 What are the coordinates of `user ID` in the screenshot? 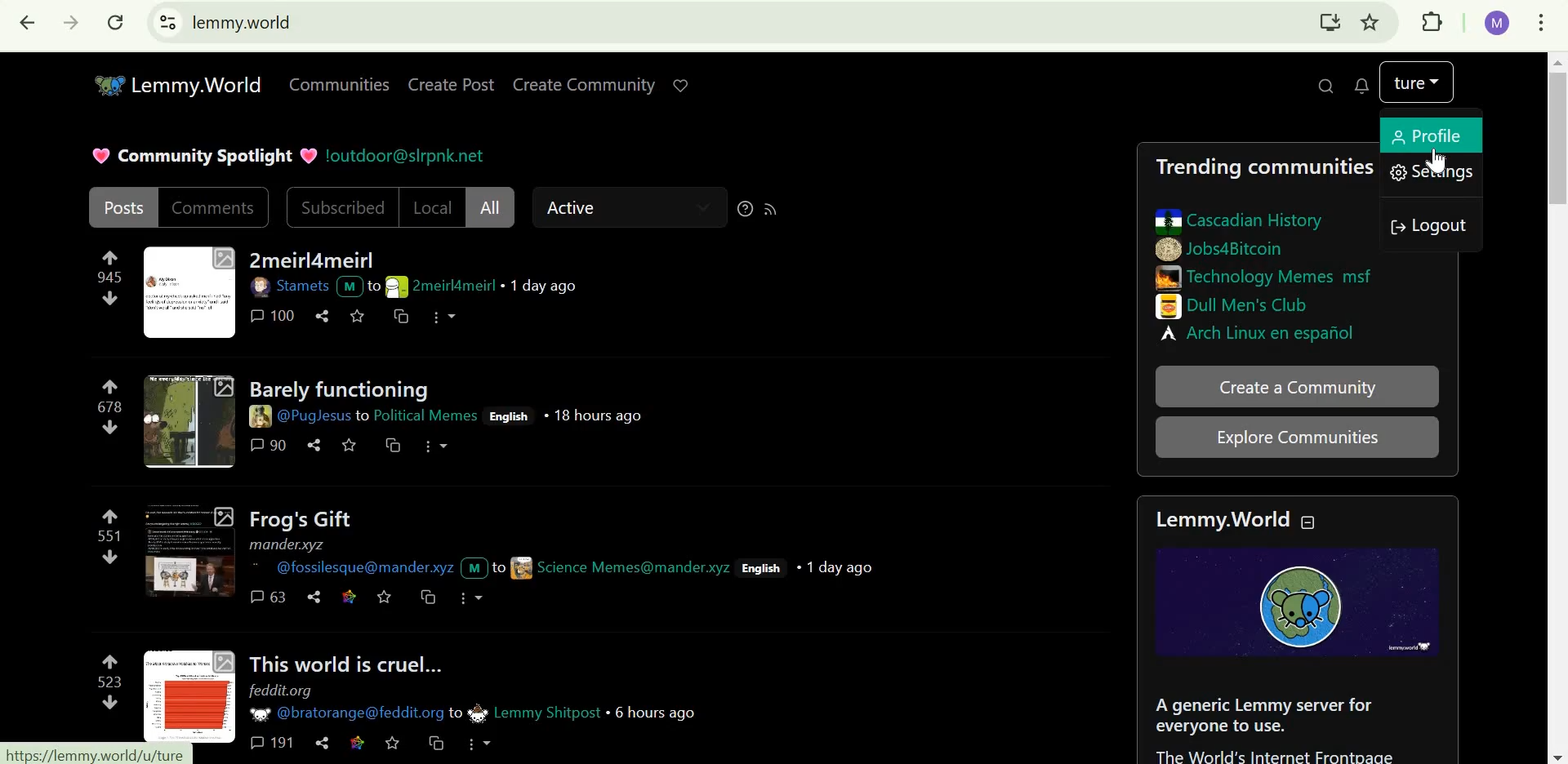 It's located at (310, 416).